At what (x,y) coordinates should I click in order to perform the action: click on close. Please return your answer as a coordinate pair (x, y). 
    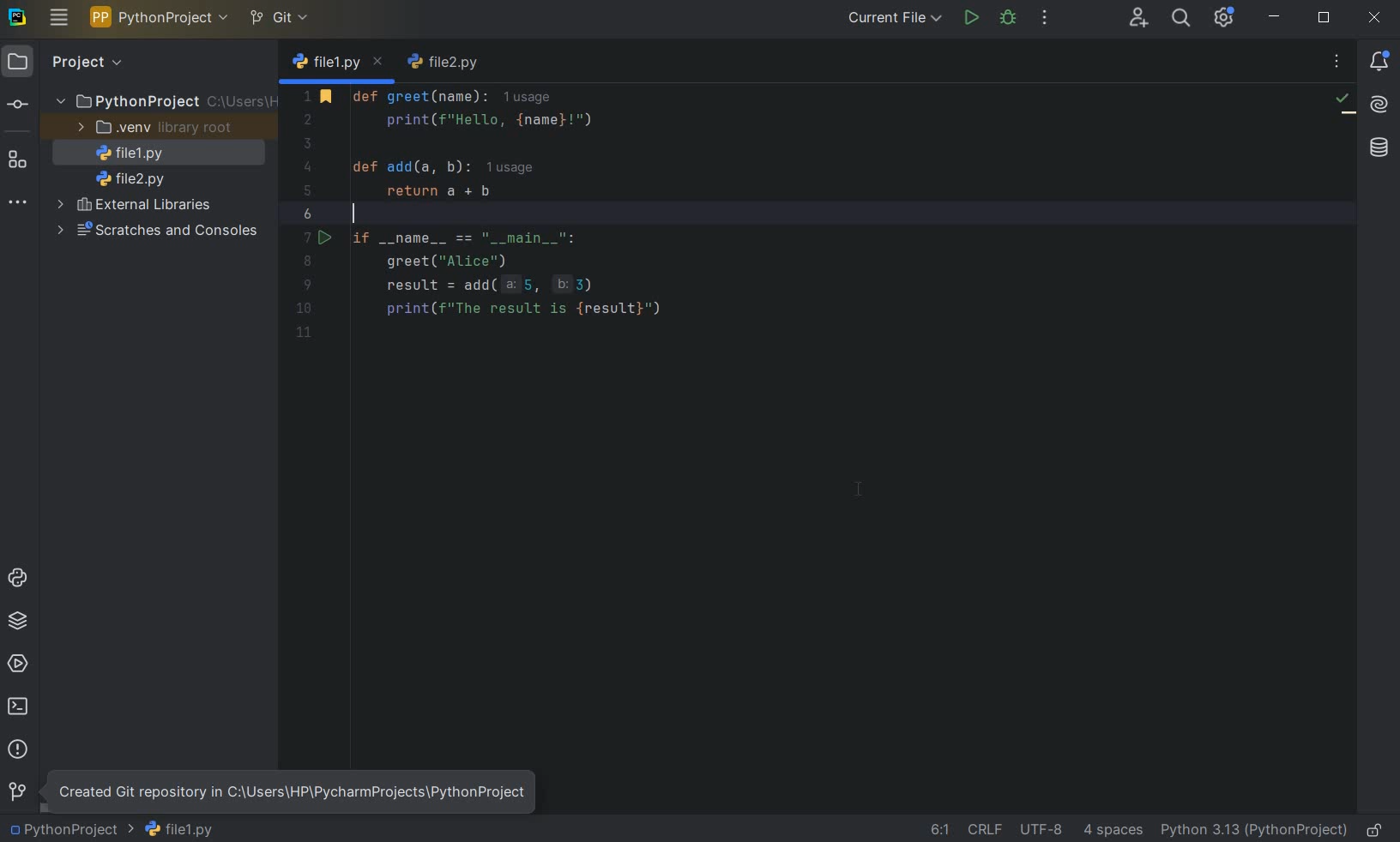
    Looking at the image, I should click on (1377, 18).